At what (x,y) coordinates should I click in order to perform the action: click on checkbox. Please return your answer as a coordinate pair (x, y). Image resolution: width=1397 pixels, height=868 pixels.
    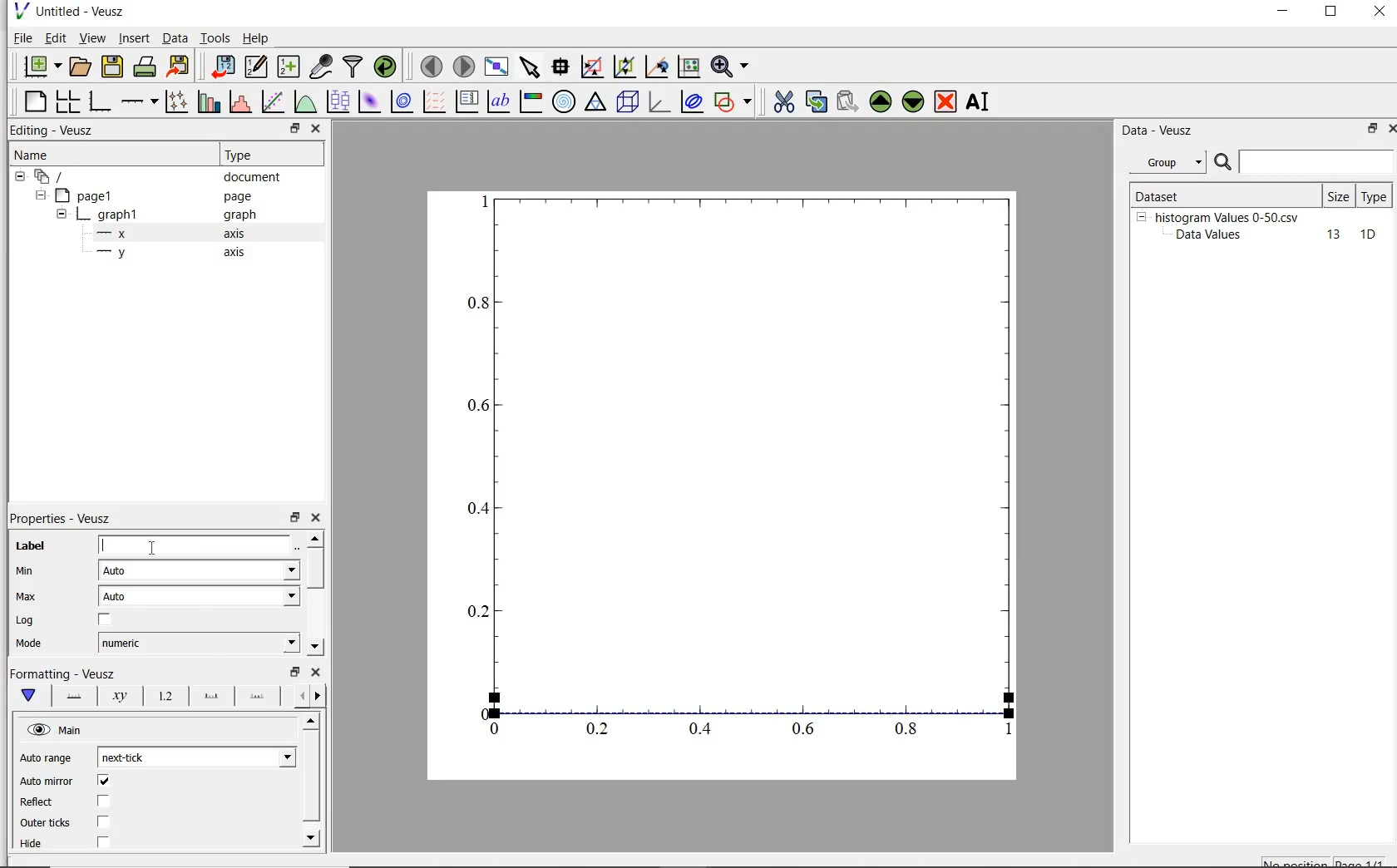
    Looking at the image, I should click on (104, 782).